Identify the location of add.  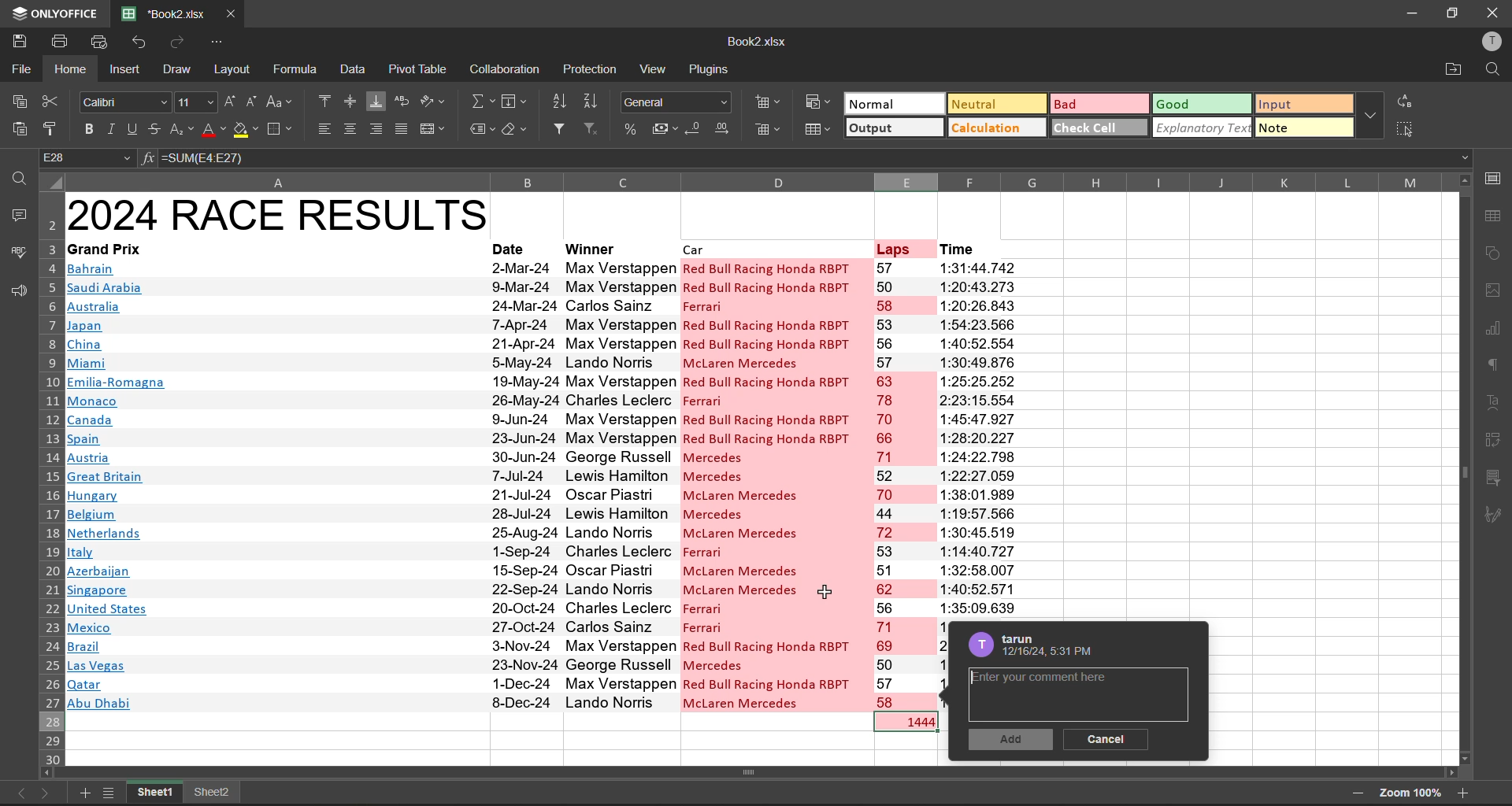
(1011, 741).